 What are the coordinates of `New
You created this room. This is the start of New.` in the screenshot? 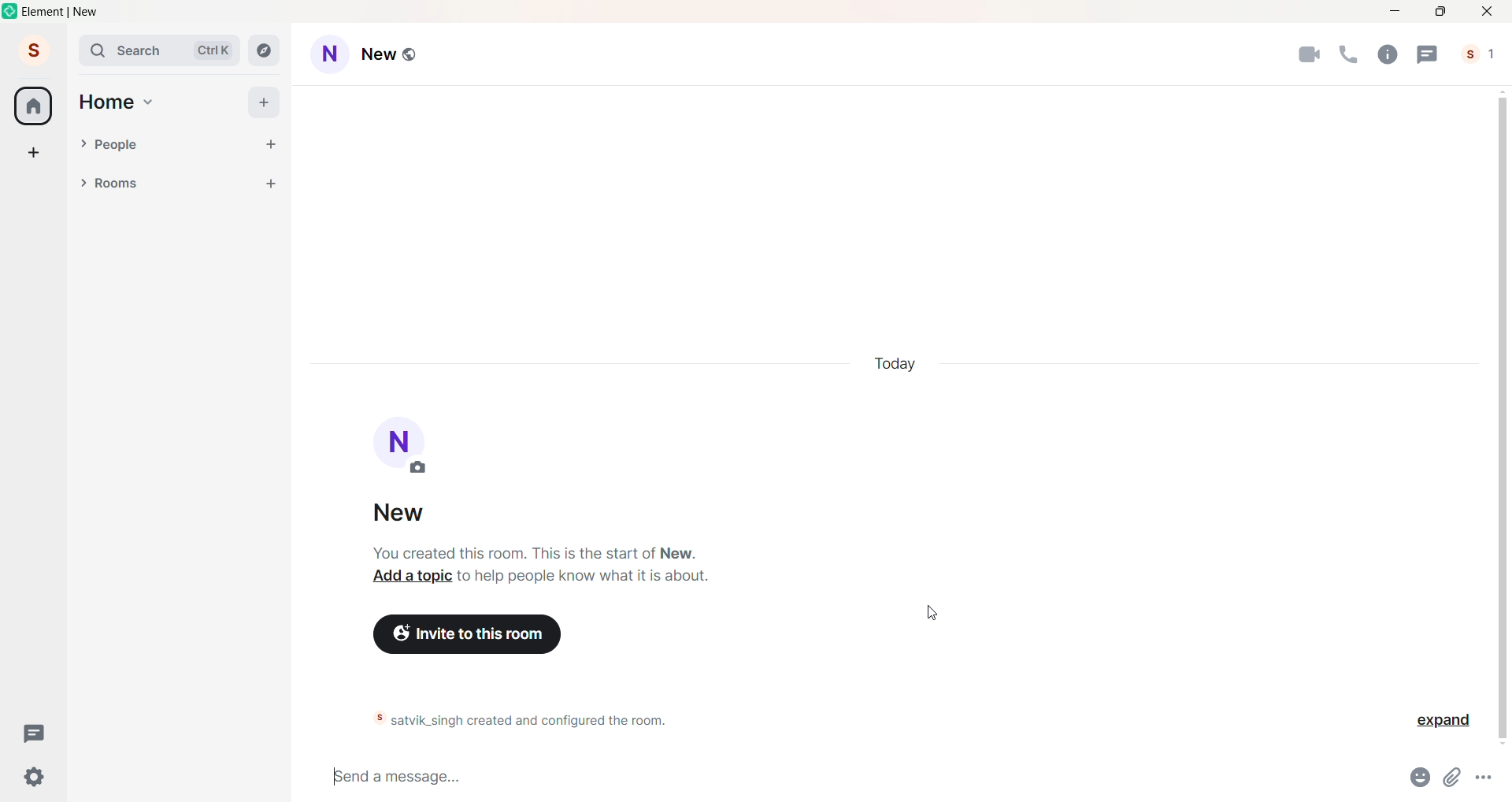 It's located at (535, 532).